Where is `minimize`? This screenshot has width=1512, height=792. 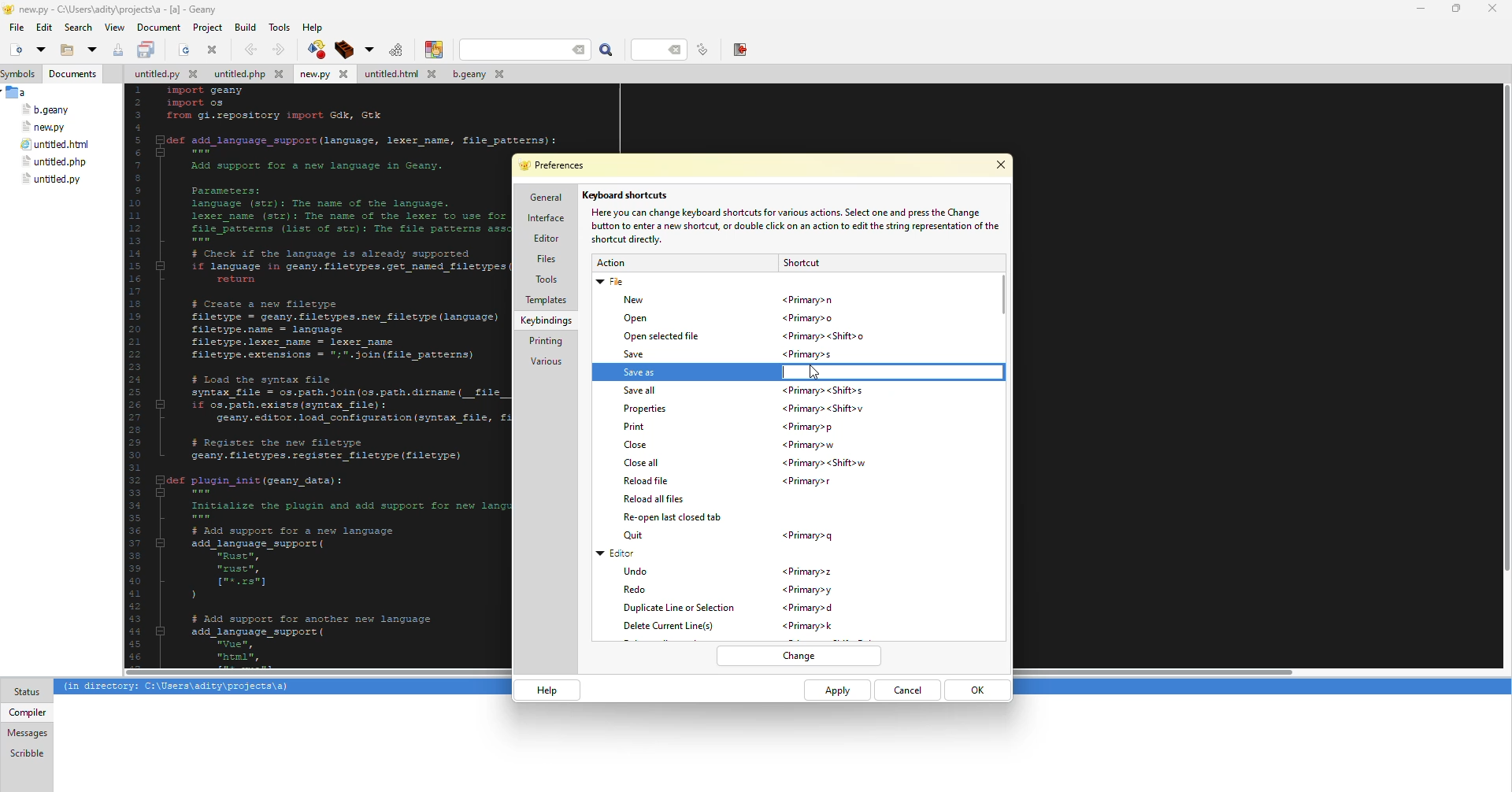
minimize is located at coordinates (1418, 9).